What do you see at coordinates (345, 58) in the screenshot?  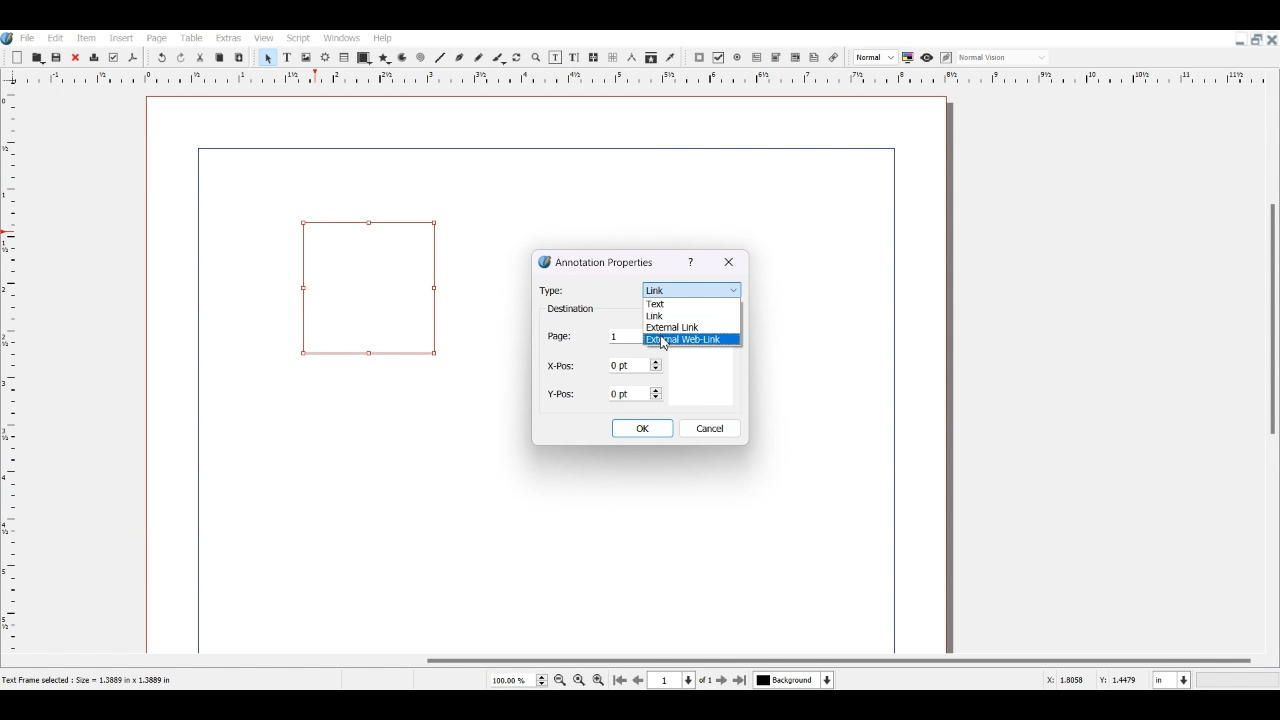 I see `Table` at bounding box center [345, 58].